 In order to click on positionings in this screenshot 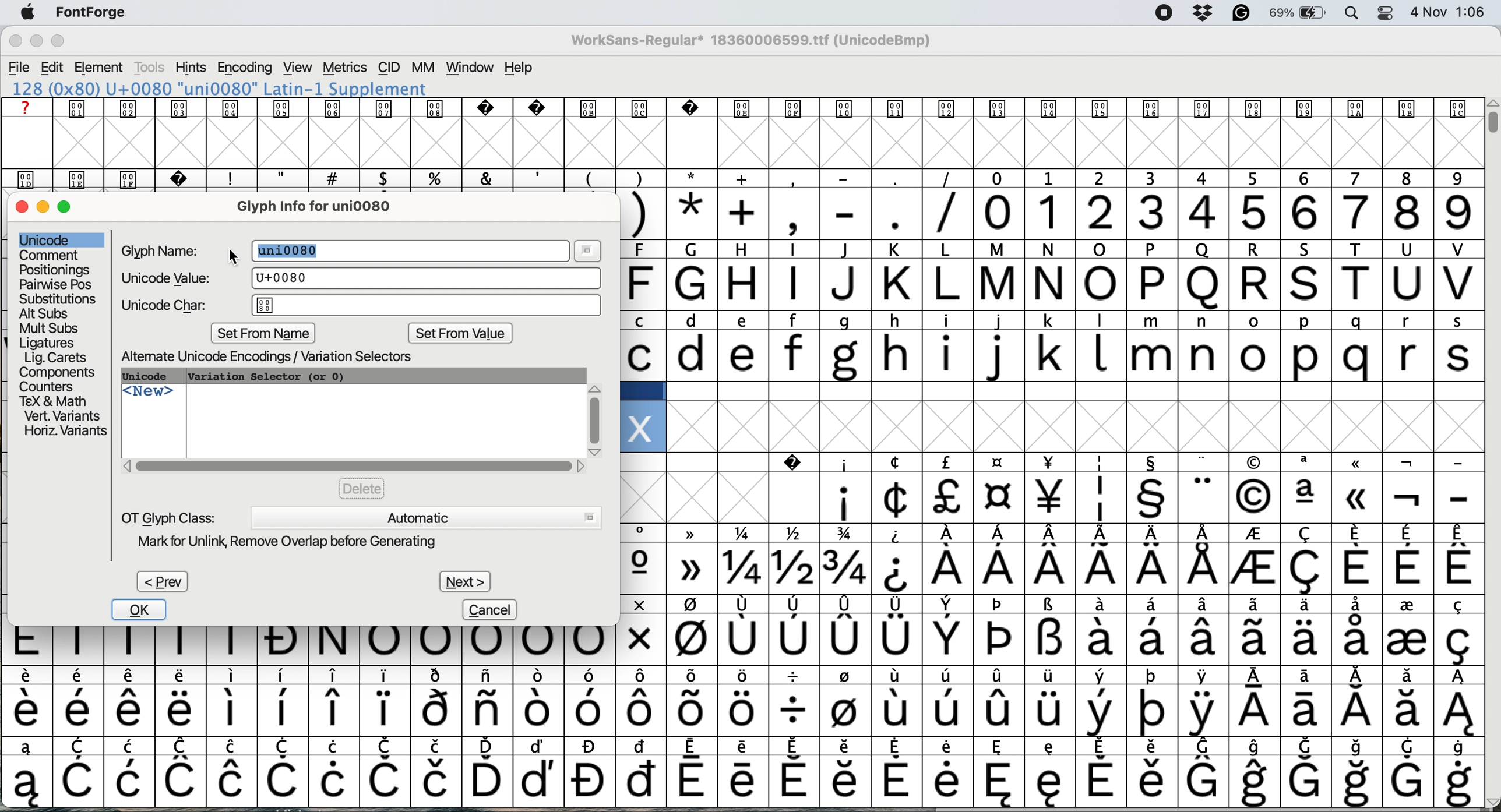, I will do `click(55, 270)`.